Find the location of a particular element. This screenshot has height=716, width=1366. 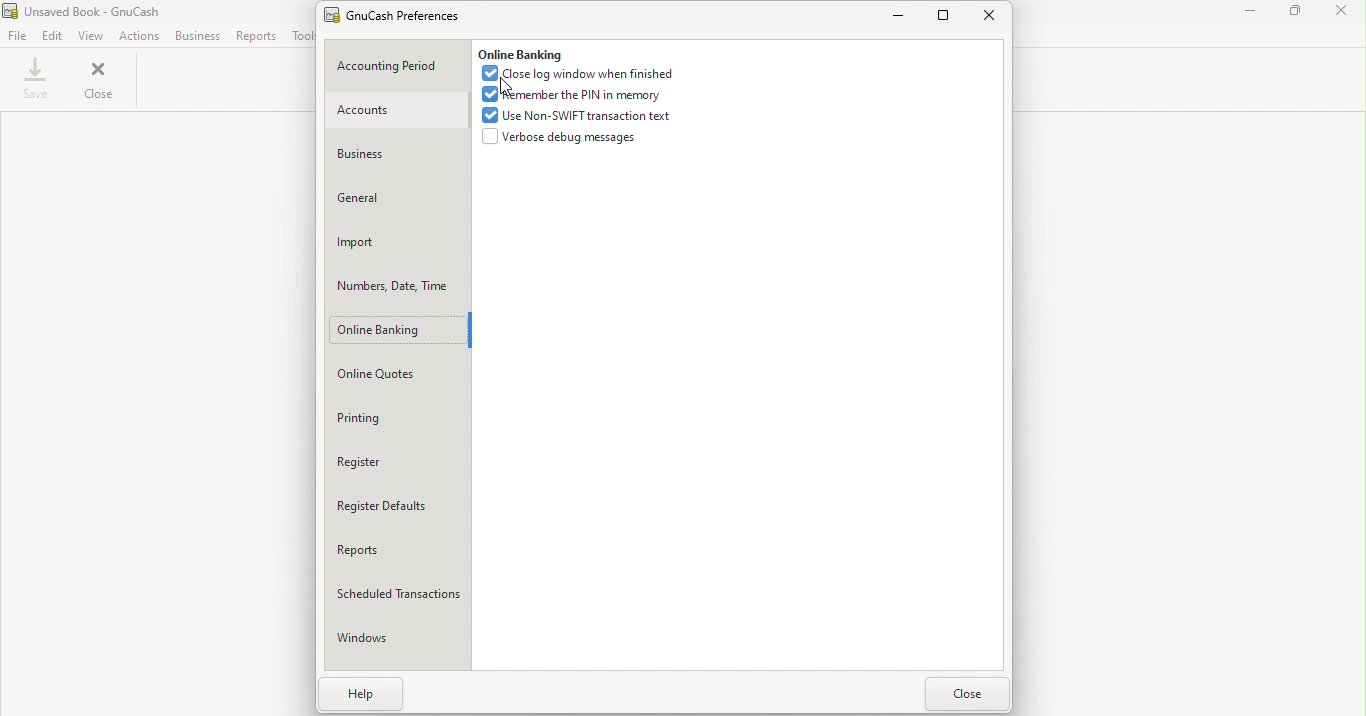

Clos is located at coordinates (966, 694).